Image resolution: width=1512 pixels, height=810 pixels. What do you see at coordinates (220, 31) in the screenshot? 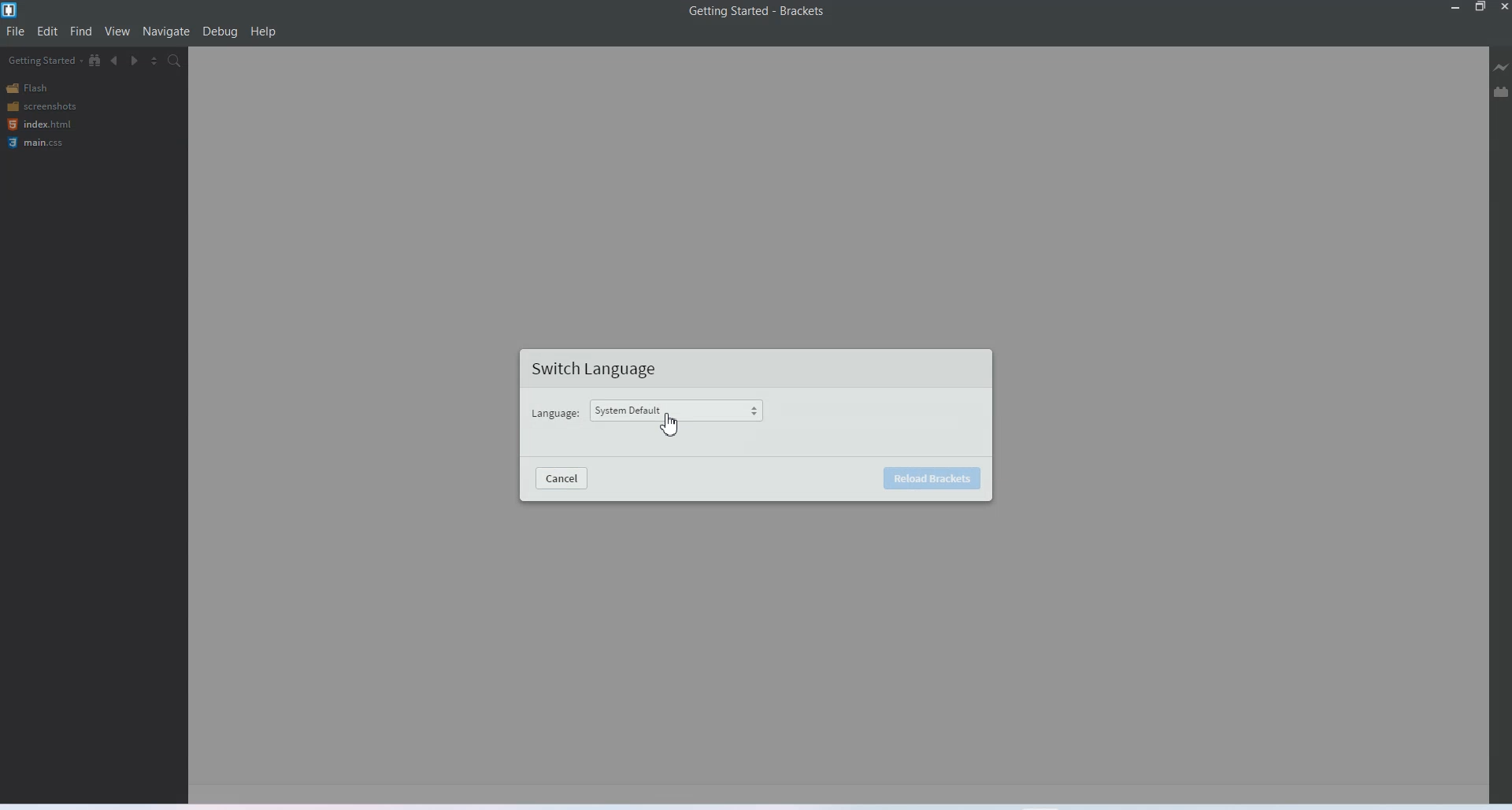
I see `Debug` at bounding box center [220, 31].